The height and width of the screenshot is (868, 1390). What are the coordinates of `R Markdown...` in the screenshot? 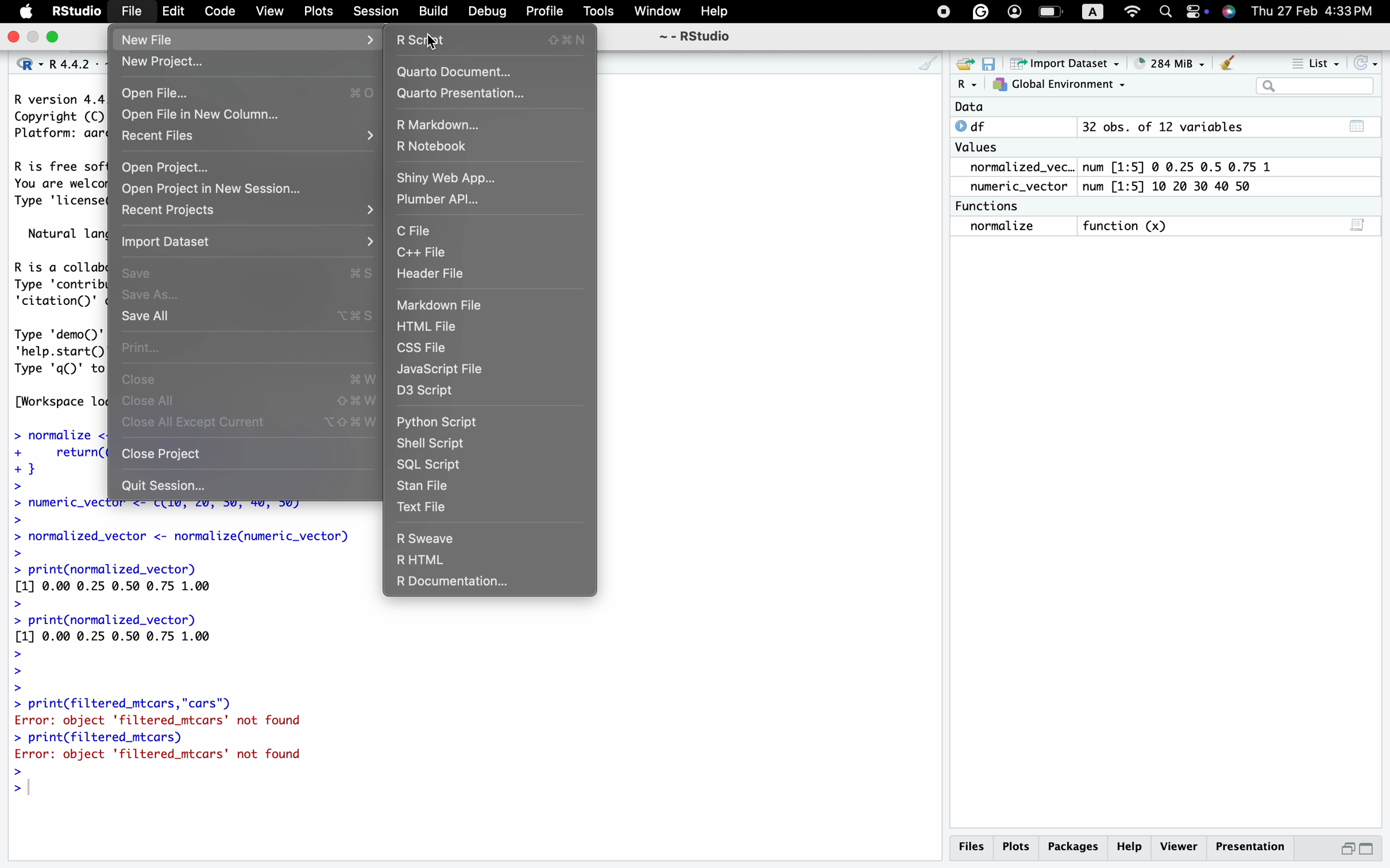 It's located at (444, 125).